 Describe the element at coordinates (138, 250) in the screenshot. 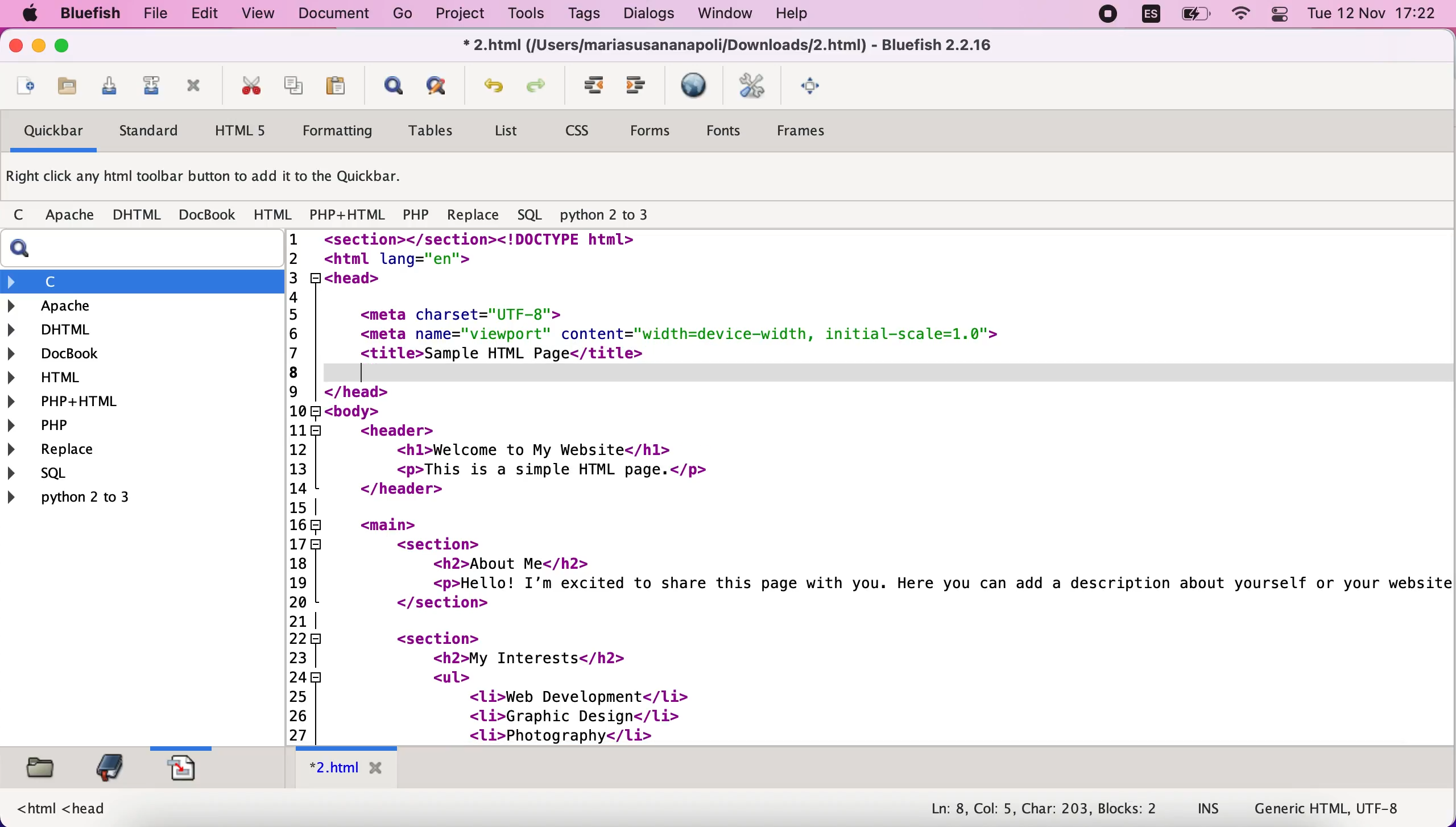

I see `search bar` at that location.